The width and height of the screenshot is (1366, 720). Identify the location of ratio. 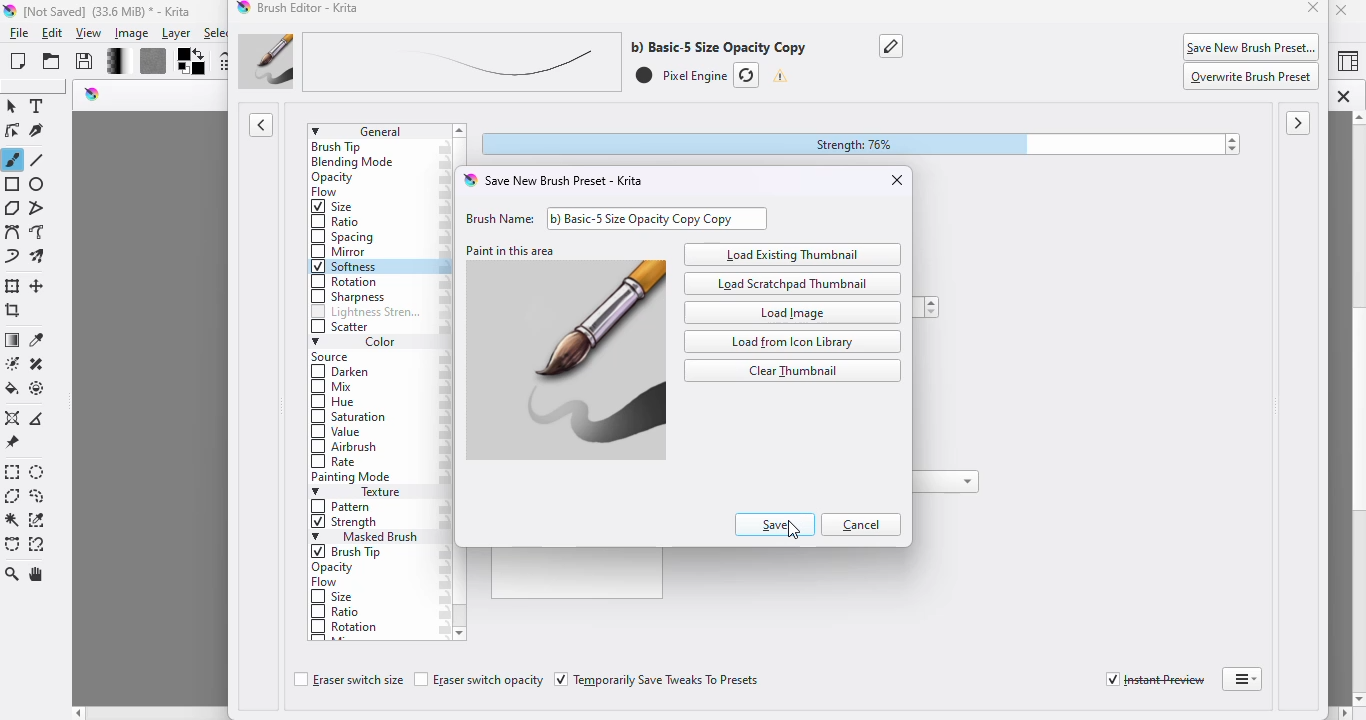
(336, 610).